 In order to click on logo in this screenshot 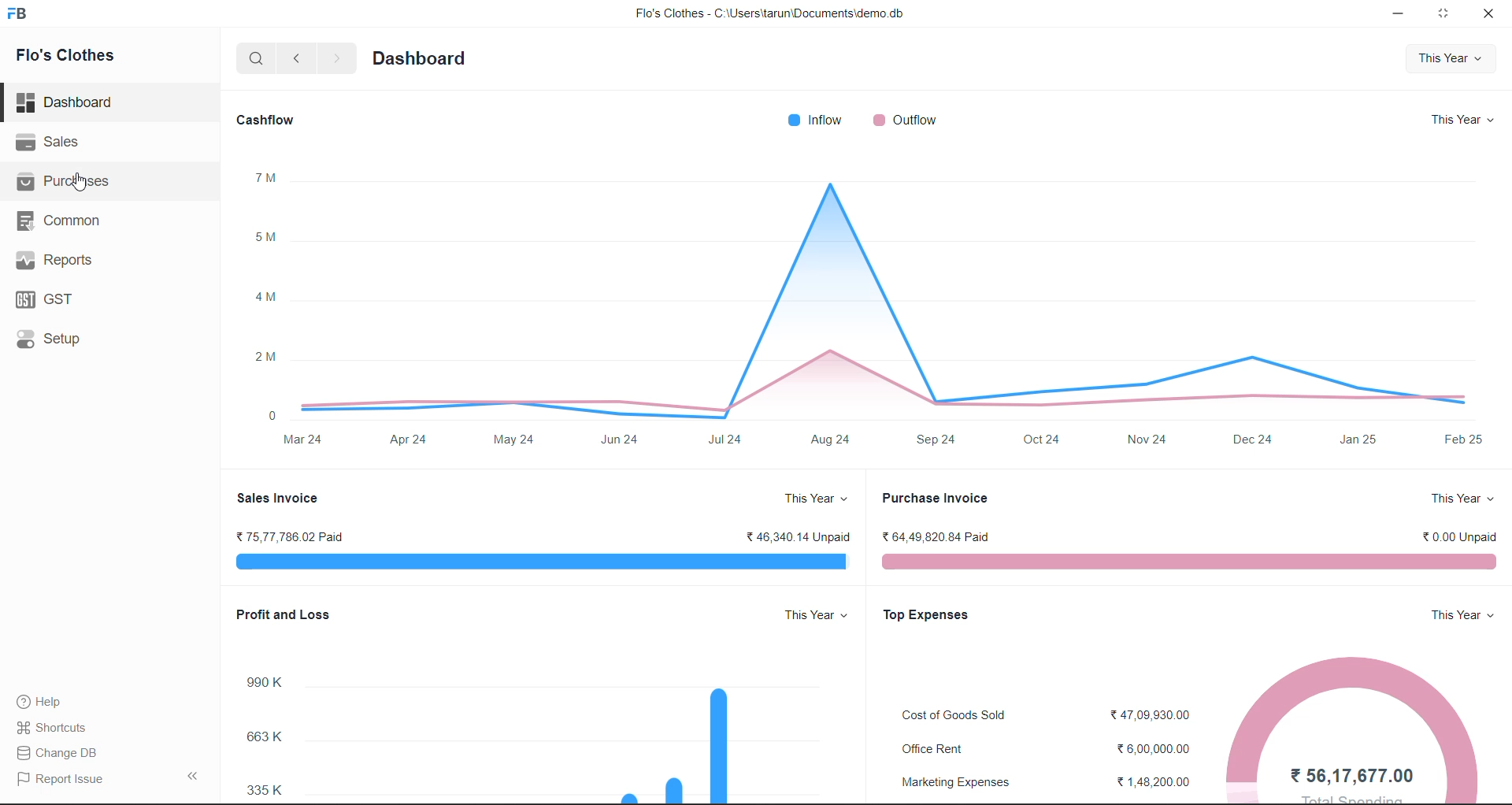, I will do `click(20, 15)`.